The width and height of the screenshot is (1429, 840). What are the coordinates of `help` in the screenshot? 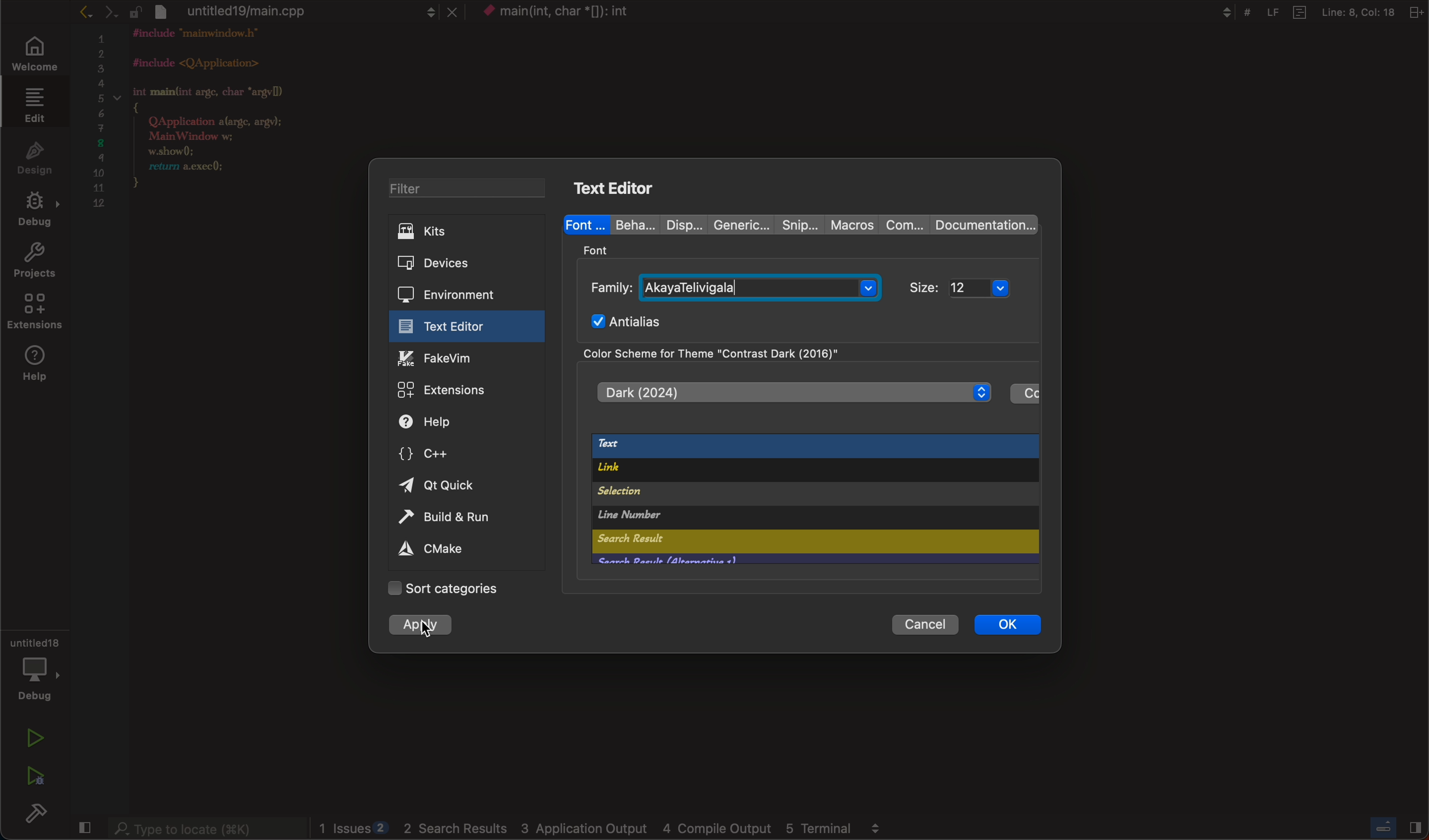 It's located at (36, 366).